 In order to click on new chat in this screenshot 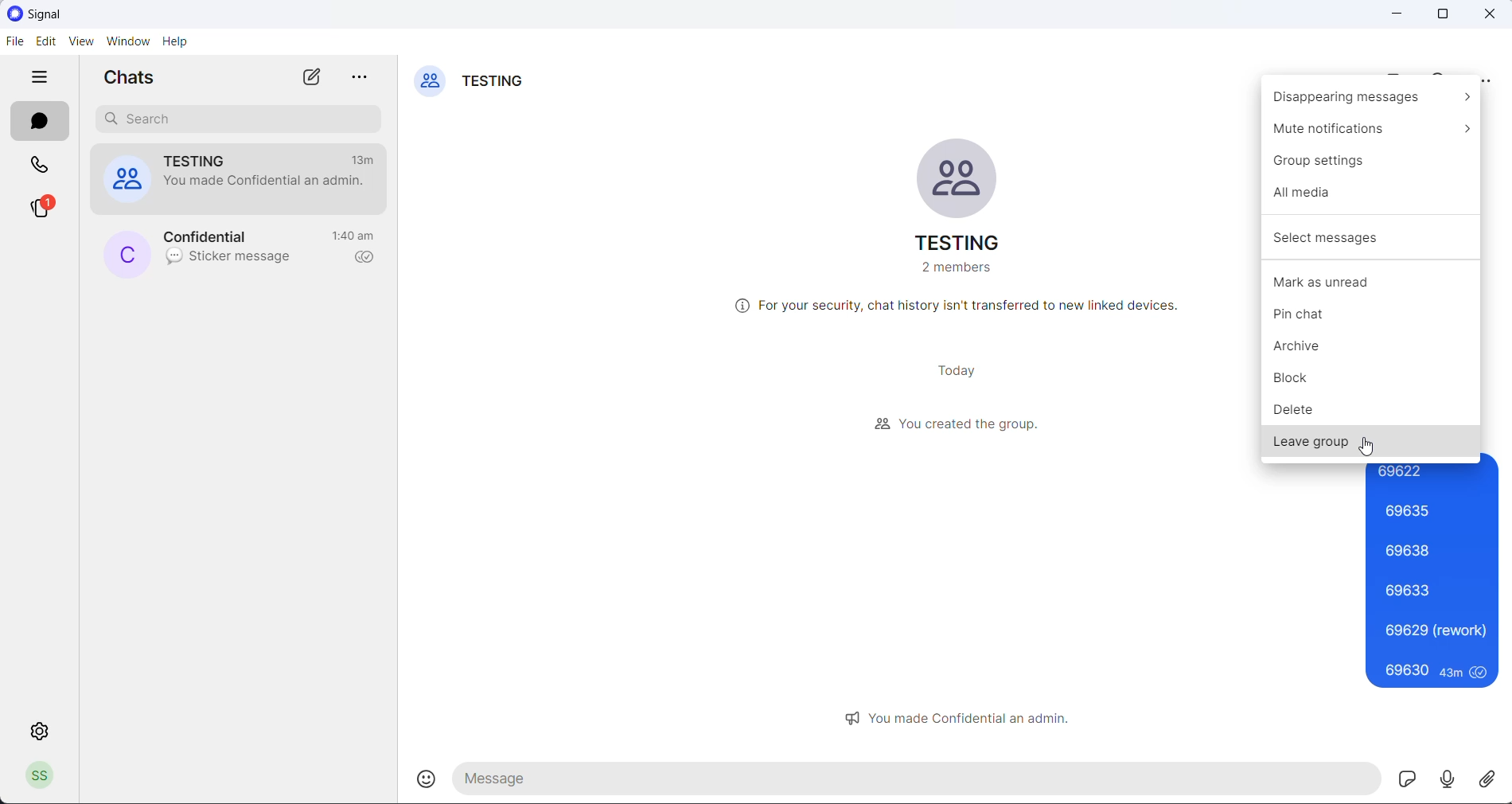, I will do `click(310, 77)`.